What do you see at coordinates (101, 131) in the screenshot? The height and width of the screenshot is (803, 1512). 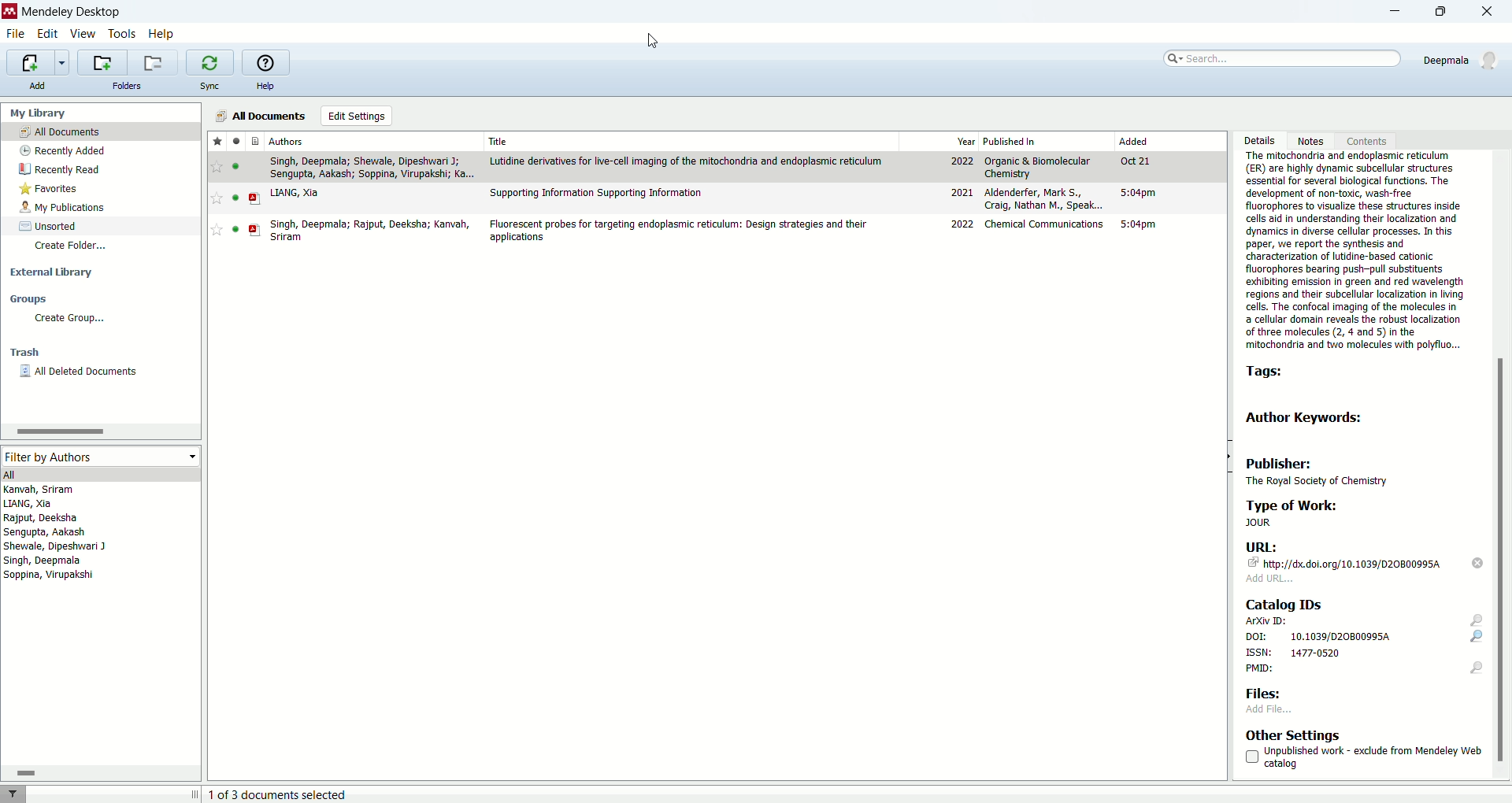 I see `all documents` at bounding box center [101, 131].